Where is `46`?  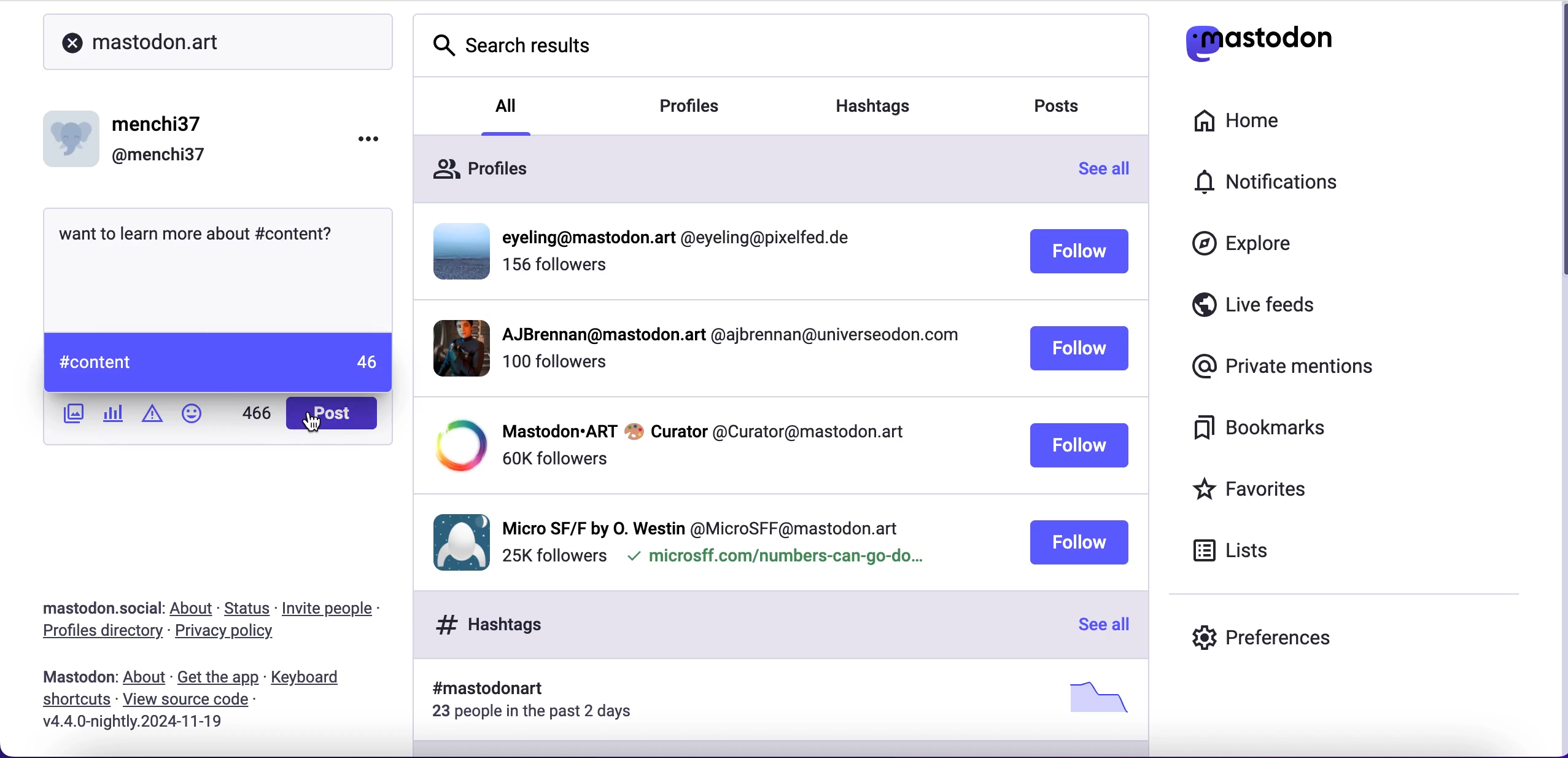
46 is located at coordinates (365, 362).